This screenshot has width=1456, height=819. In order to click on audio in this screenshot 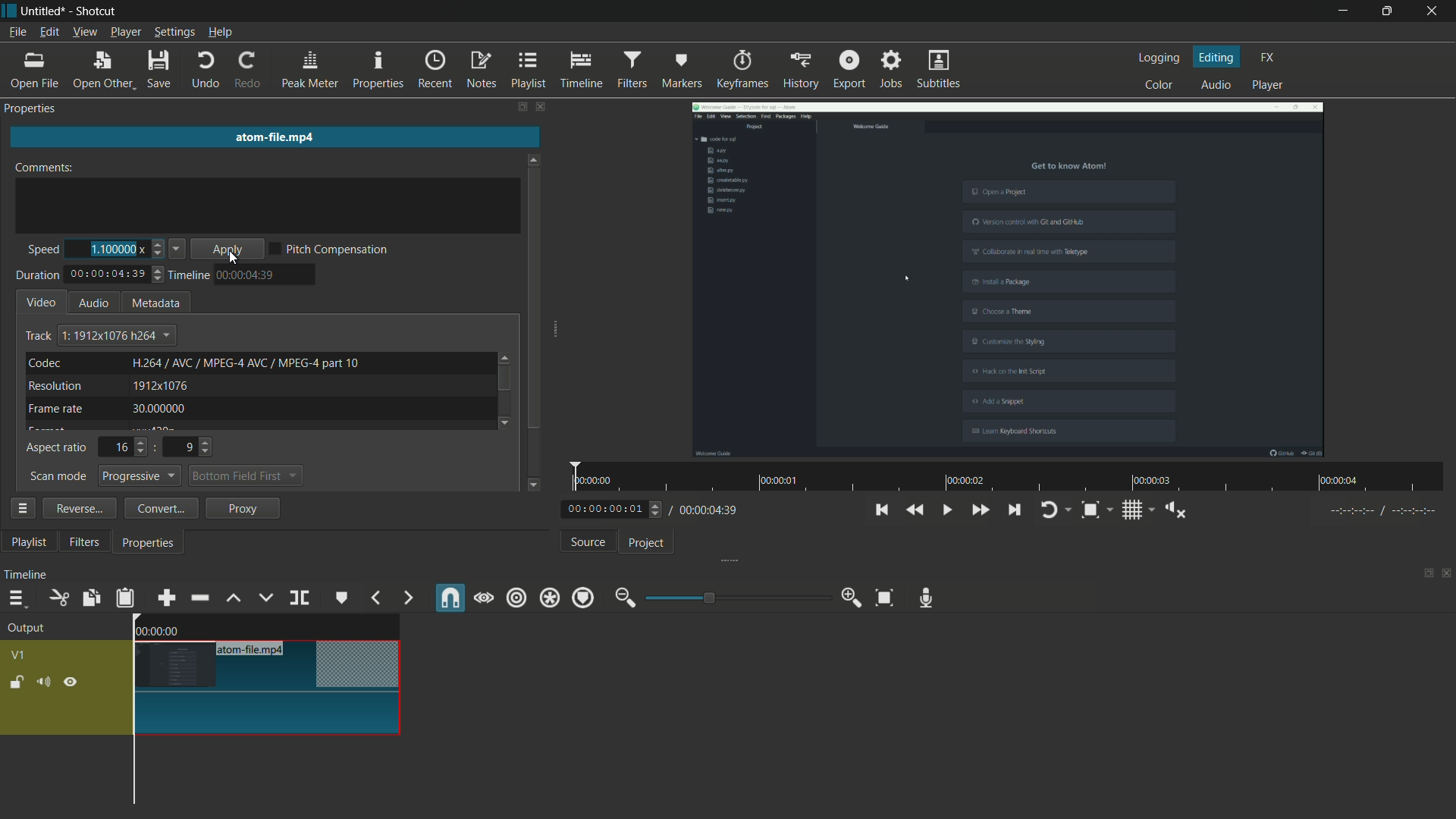, I will do `click(93, 303)`.